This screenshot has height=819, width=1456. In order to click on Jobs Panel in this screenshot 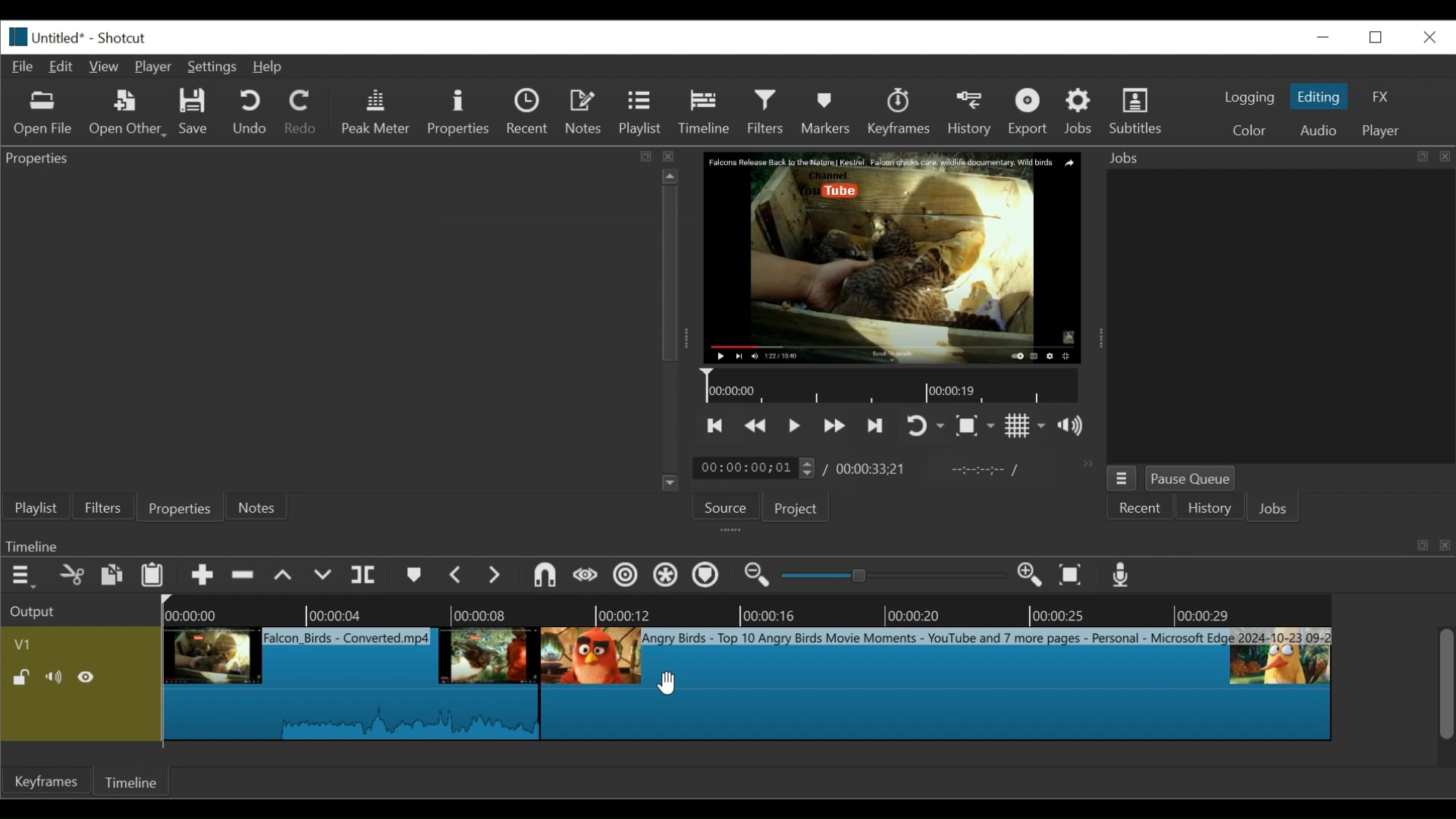, I will do `click(1277, 158)`.